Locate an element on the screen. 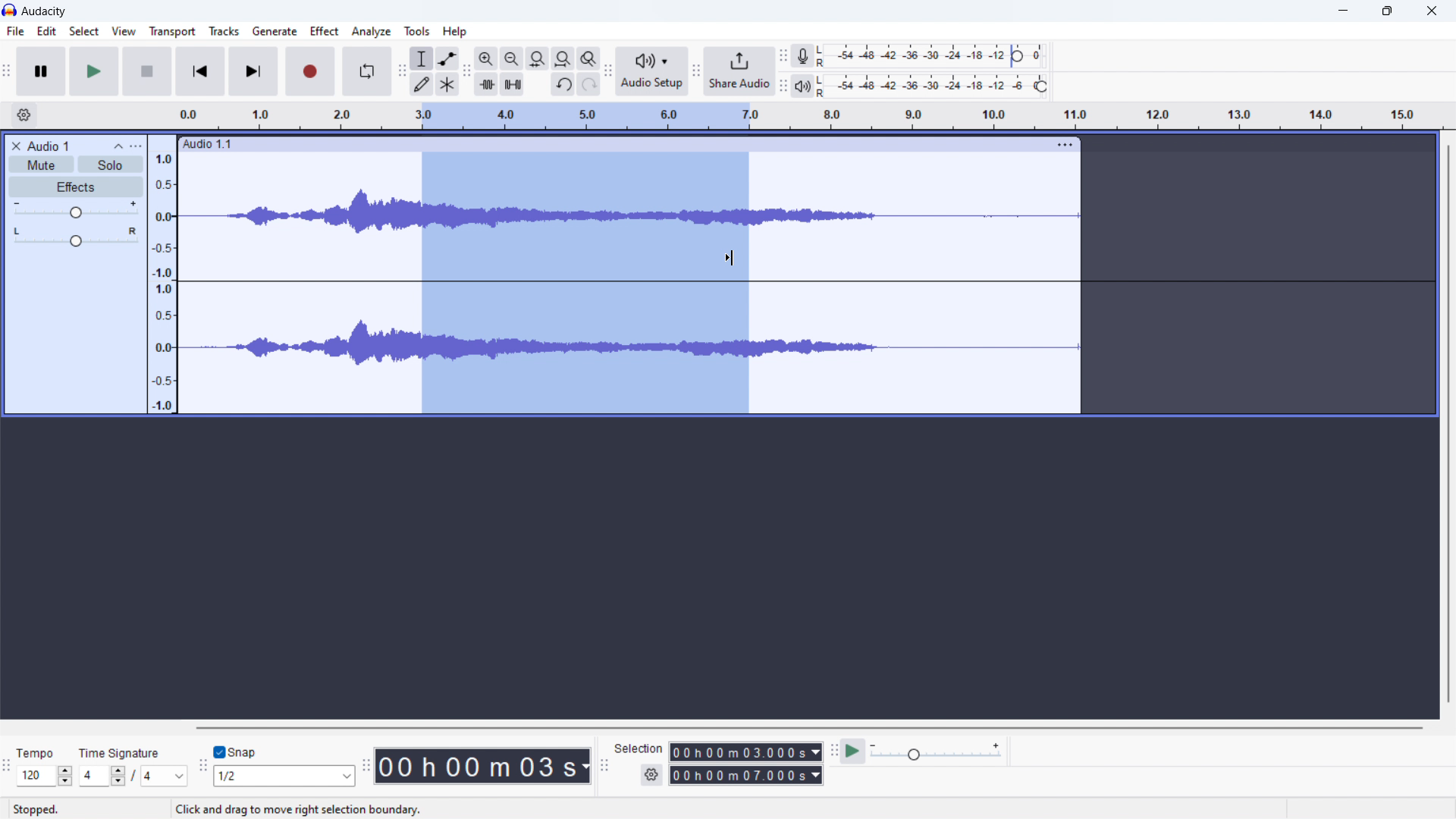 The width and height of the screenshot is (1456, 819). 120 is located at coordinates (45, 776).